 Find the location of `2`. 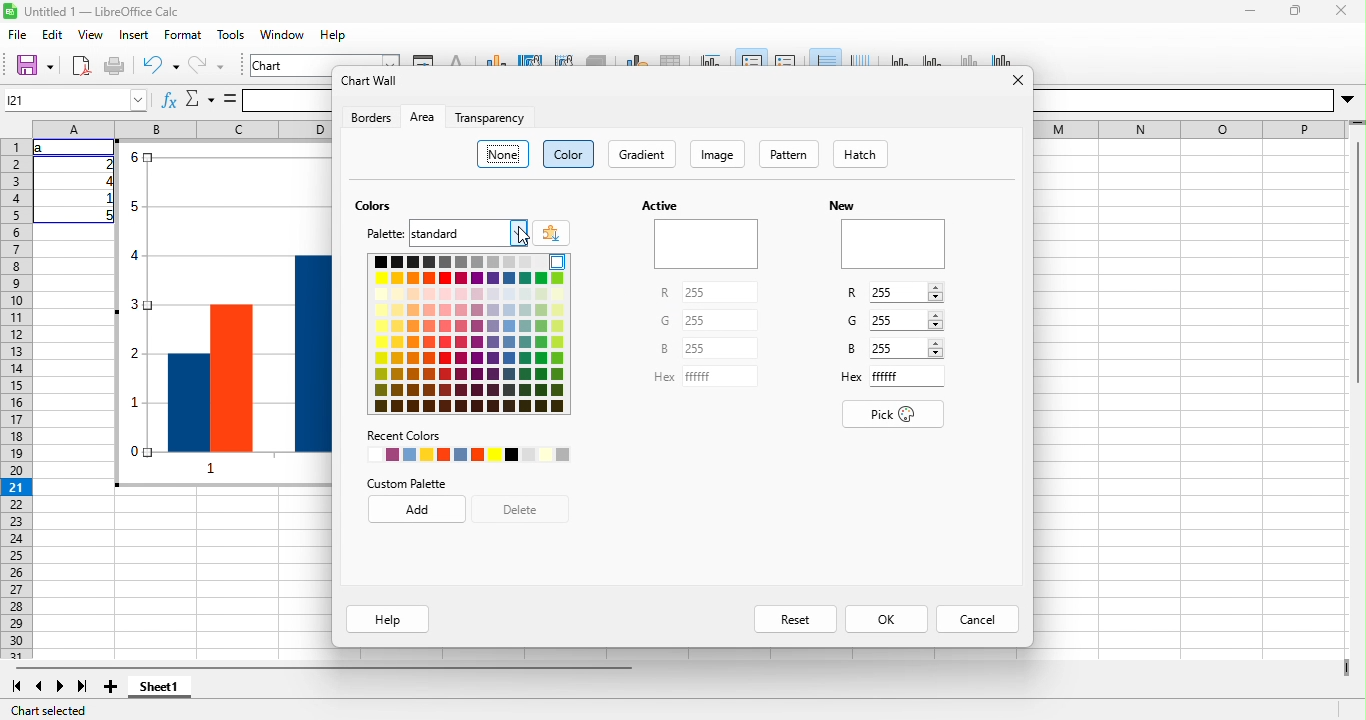

2 is located at coordinates (106, 164).